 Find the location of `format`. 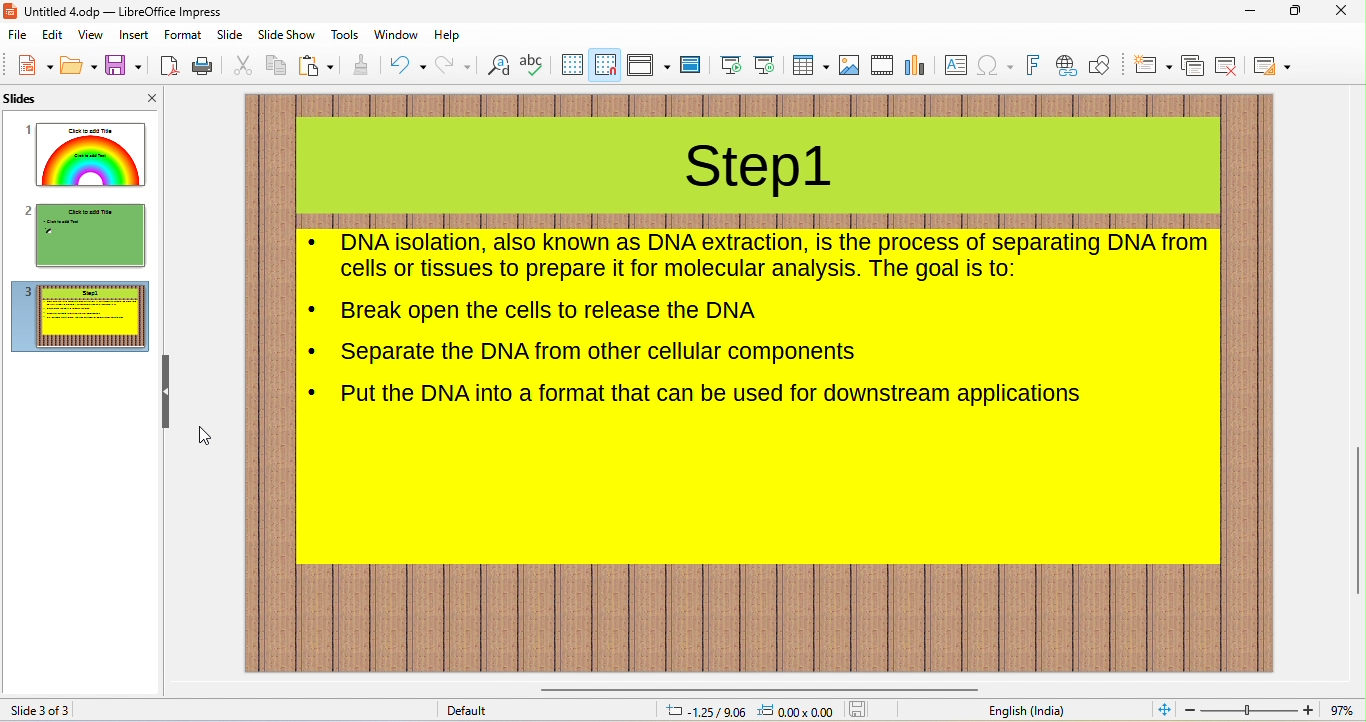

format is located at coordinates (184, 36).